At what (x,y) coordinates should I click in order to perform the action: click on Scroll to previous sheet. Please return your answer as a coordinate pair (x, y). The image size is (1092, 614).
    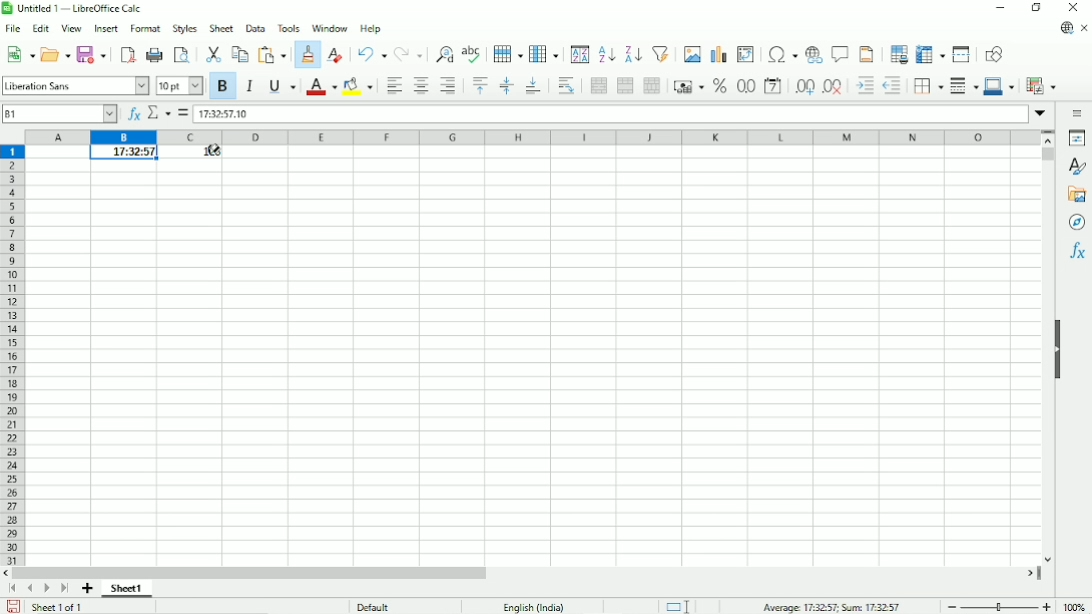
    Looking at the image, I should click on (29, 589).